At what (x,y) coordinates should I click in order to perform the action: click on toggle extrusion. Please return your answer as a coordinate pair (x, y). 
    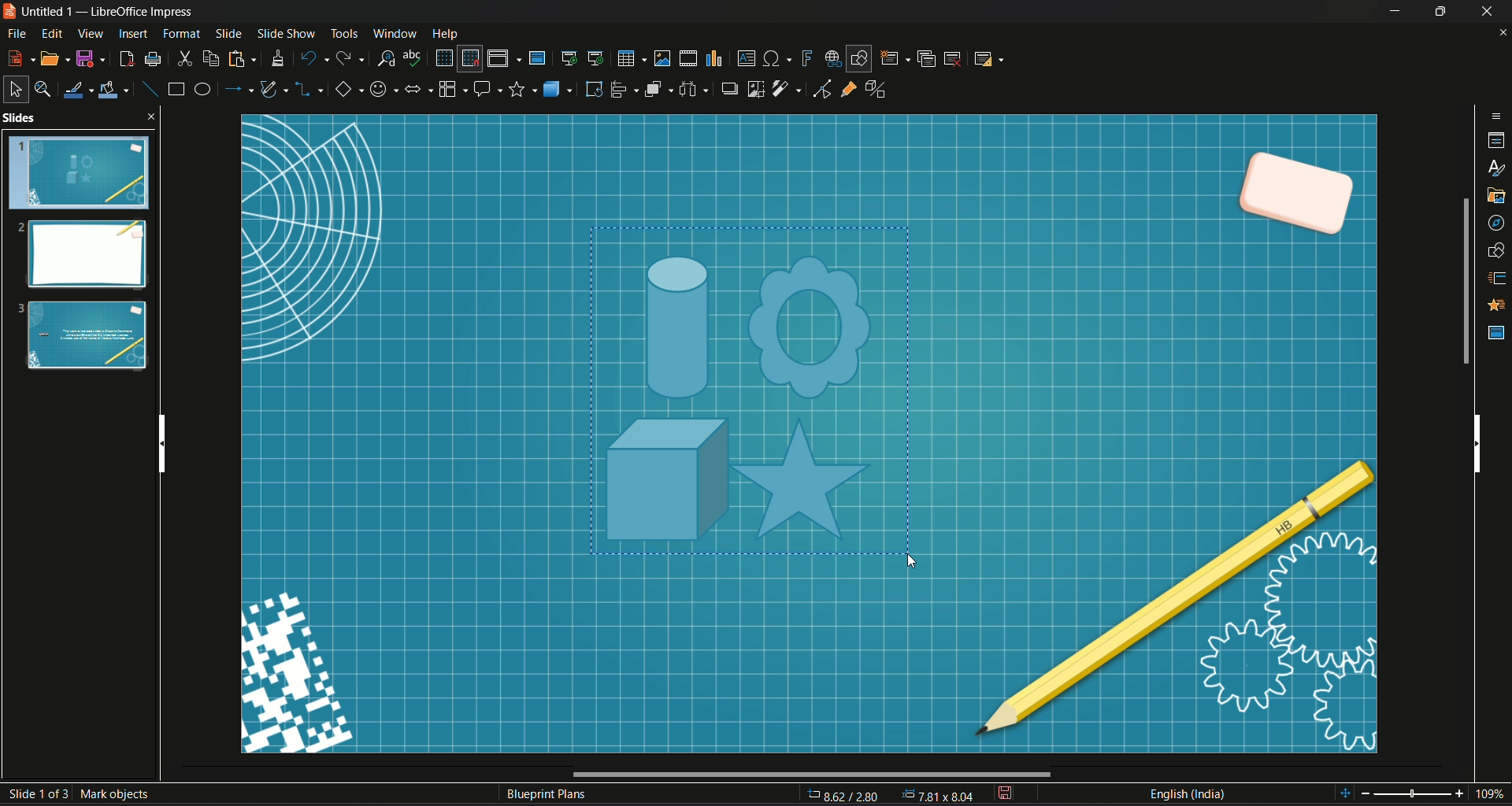
    Looking at the image, I should click on (880, 89).